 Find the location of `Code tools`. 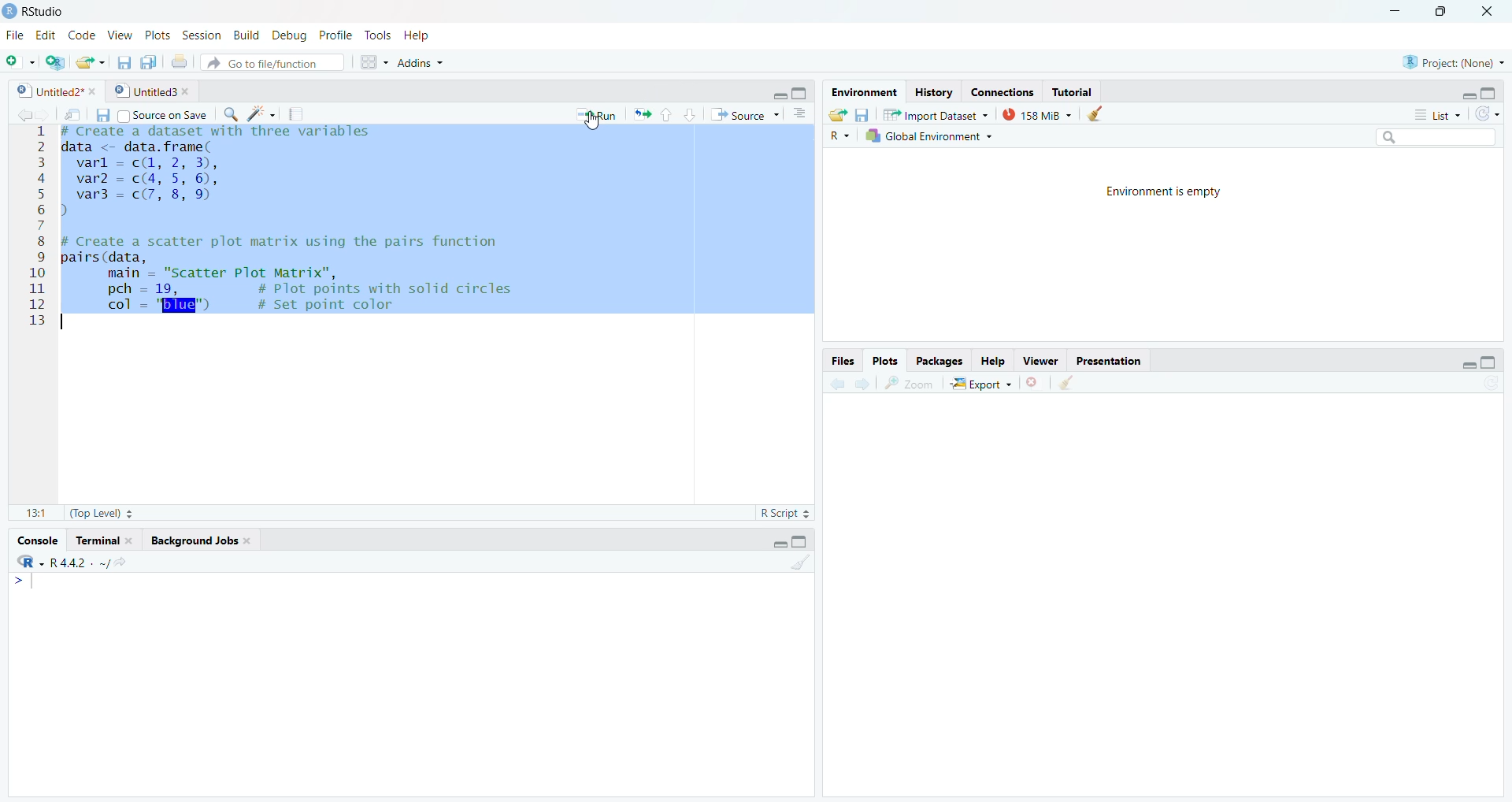

Code tools is located at coordinates (260, 115).